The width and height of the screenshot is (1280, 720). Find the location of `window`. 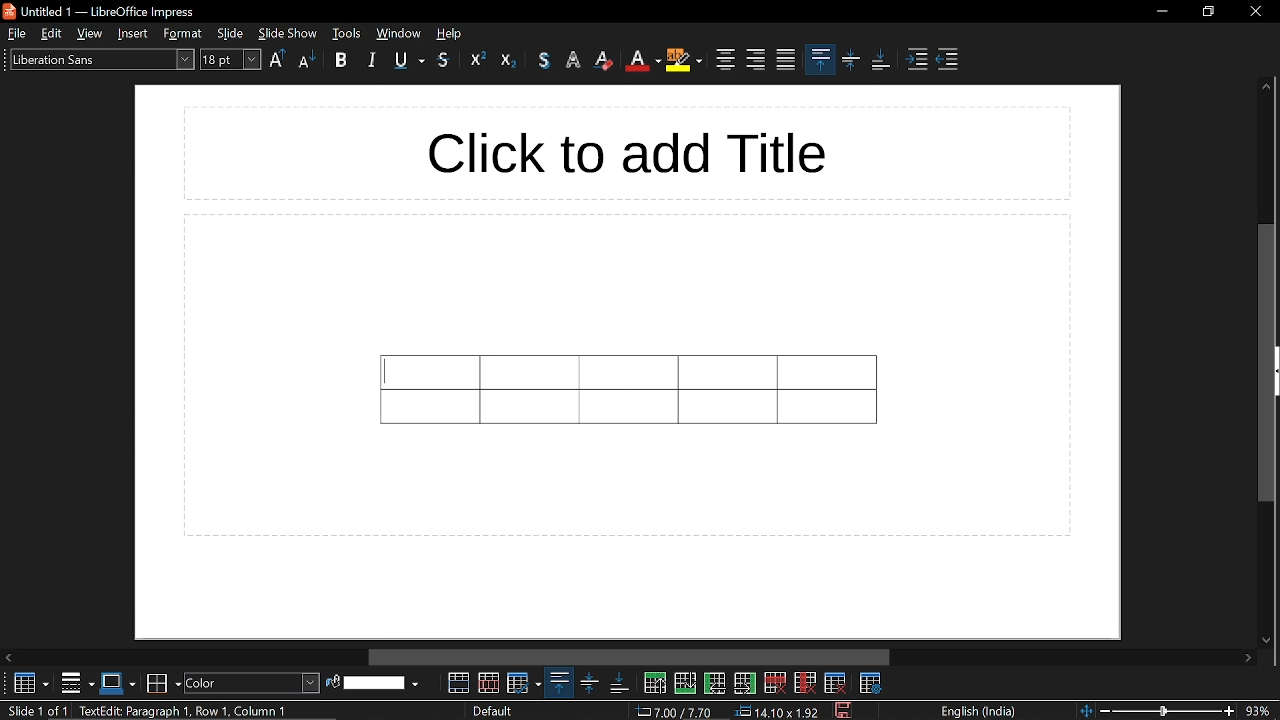

window is located at coordinates (398, 34).